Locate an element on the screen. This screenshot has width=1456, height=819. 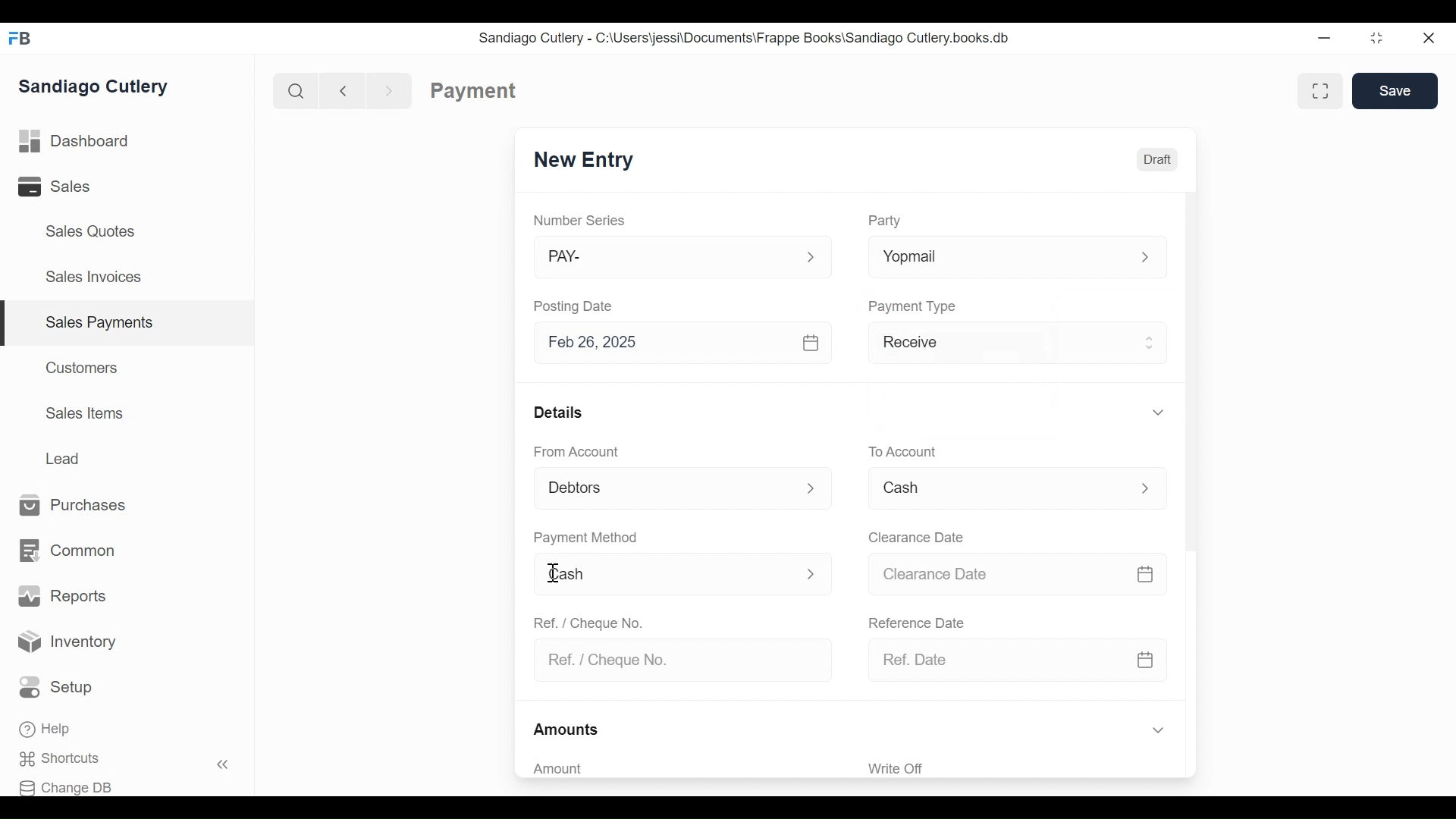
Reports is located at coordinates (62, 596).